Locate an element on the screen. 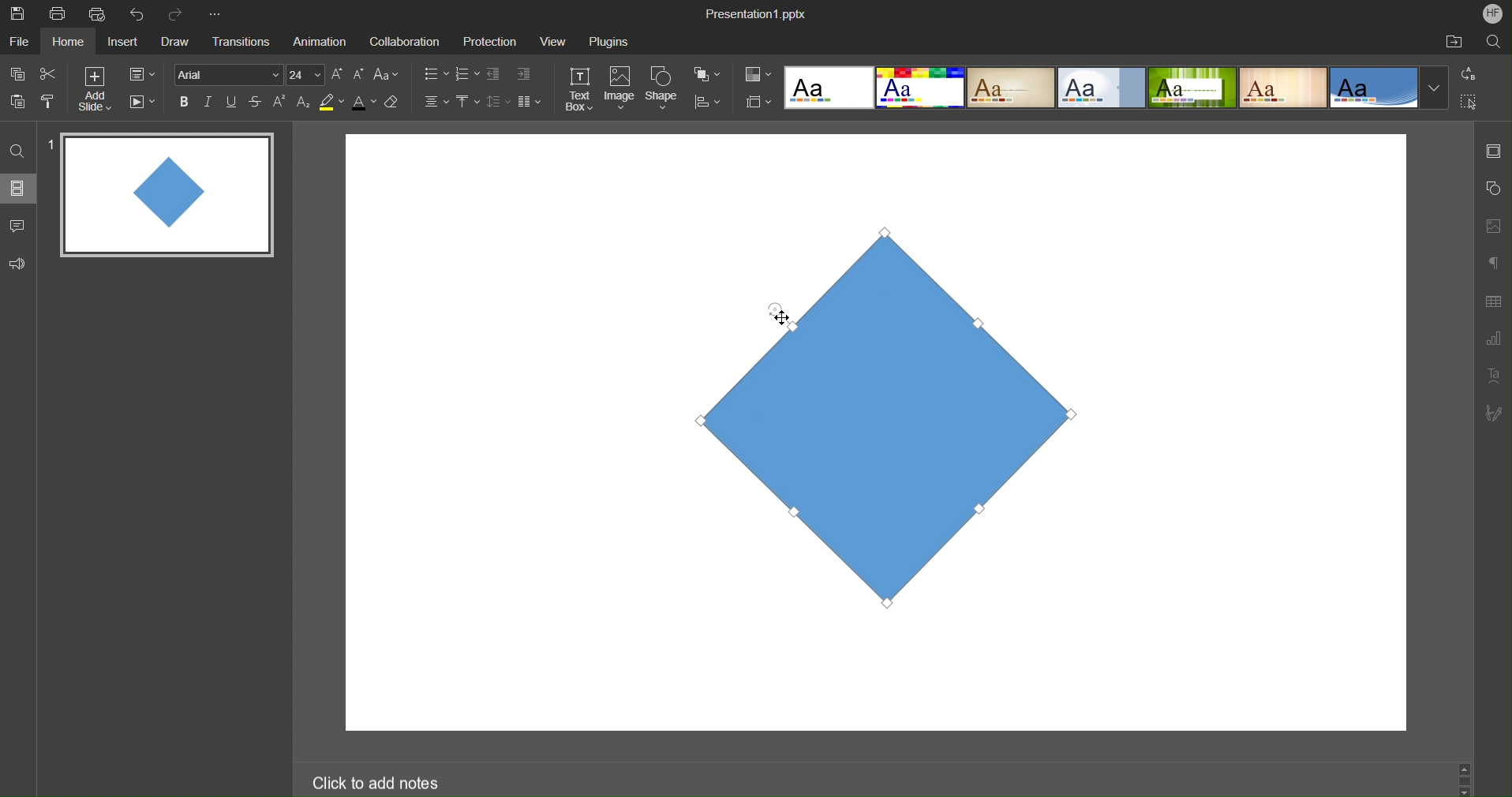 The image size is (1512, 797). Text Box is located at coordinates (582, 89).